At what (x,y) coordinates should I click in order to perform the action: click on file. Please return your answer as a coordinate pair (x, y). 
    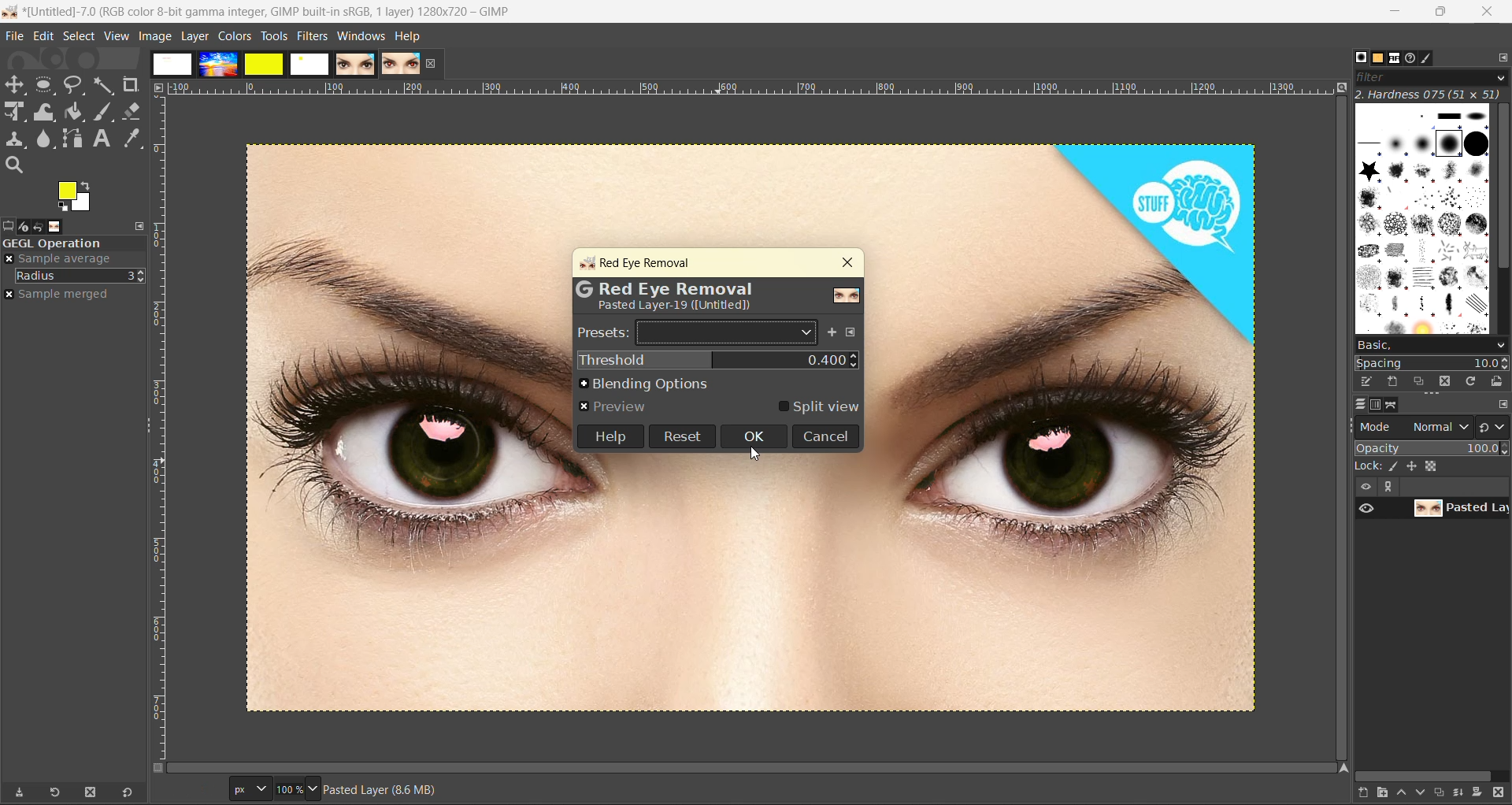
    Looking at the image, I should click on (11, 36).